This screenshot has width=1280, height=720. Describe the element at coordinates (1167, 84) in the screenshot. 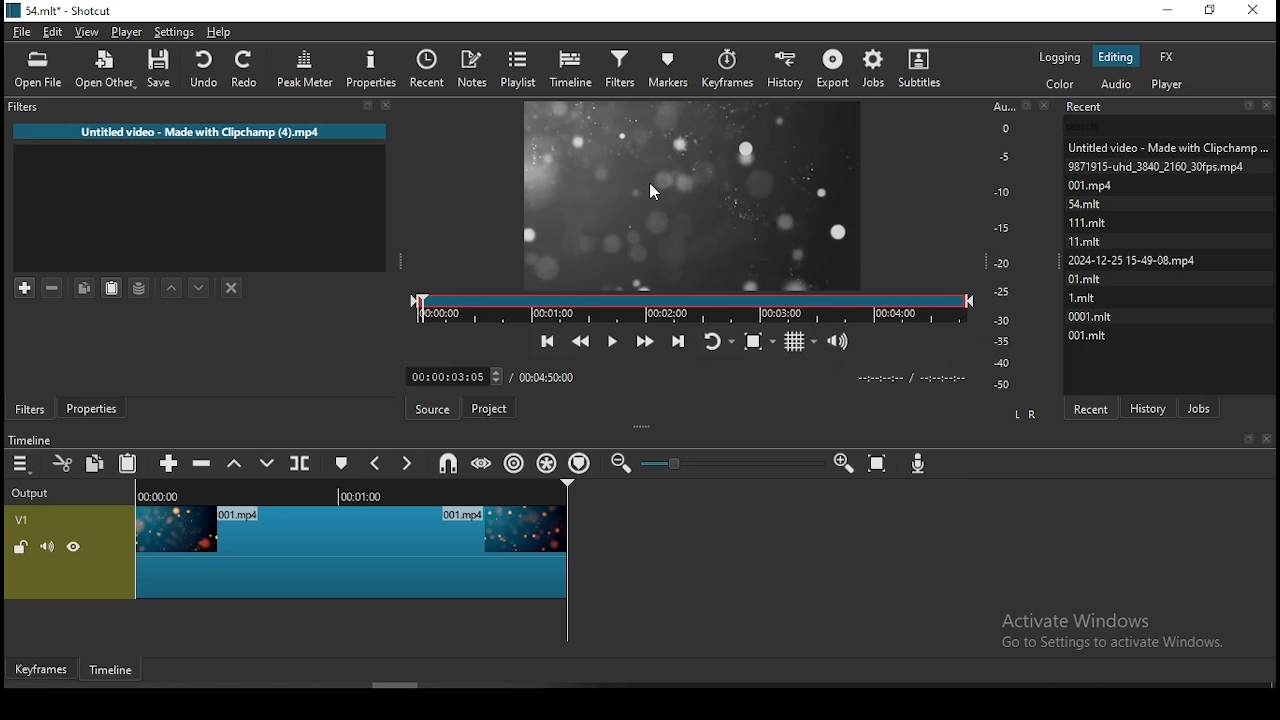

I see `player` at that location.